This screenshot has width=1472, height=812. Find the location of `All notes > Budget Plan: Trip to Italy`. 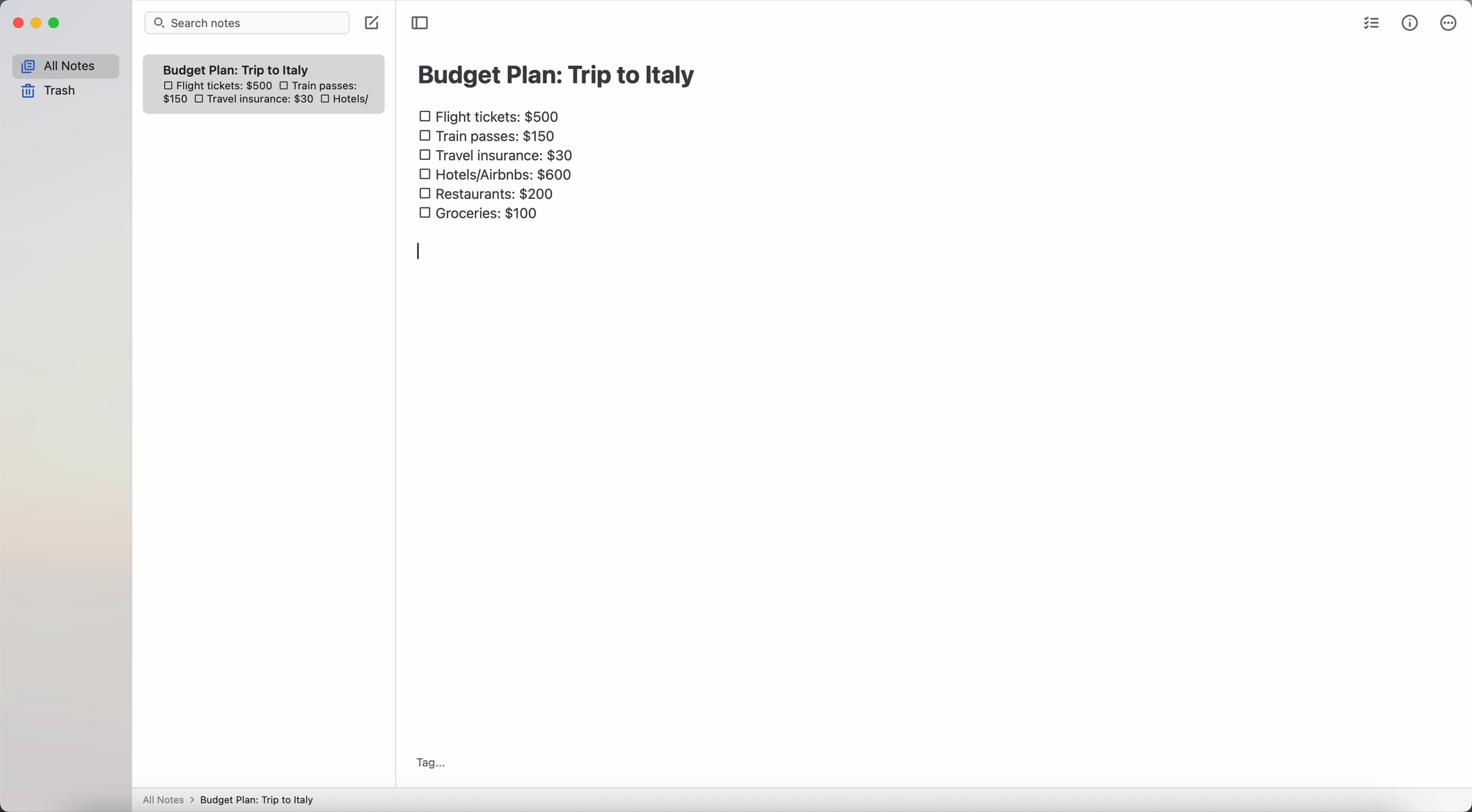

All notes > Budget Plan: Trip to Italy is located at coordinates (234, 799).